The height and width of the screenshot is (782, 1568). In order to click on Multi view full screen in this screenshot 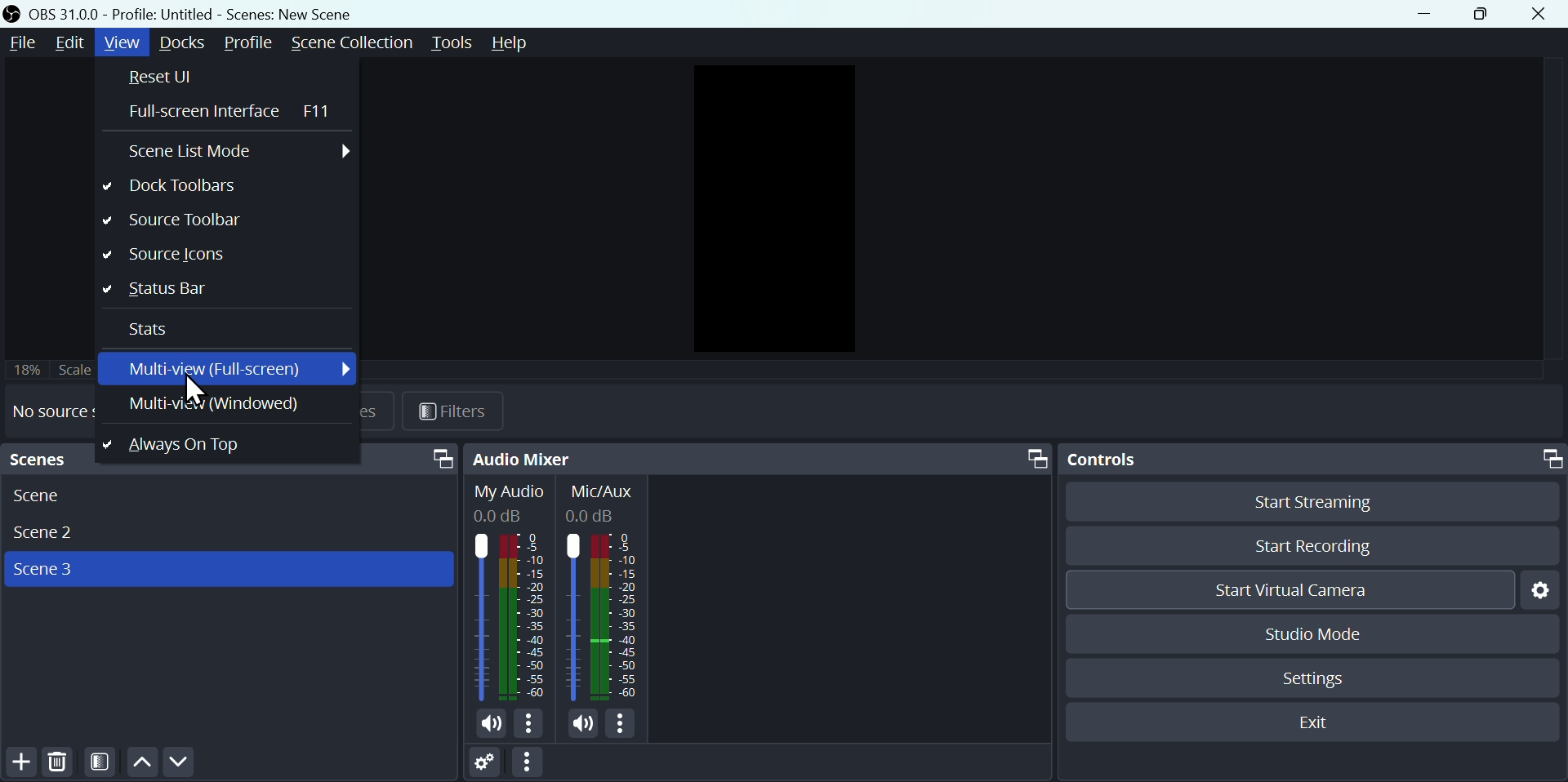, I will do `click(230, 370)`.